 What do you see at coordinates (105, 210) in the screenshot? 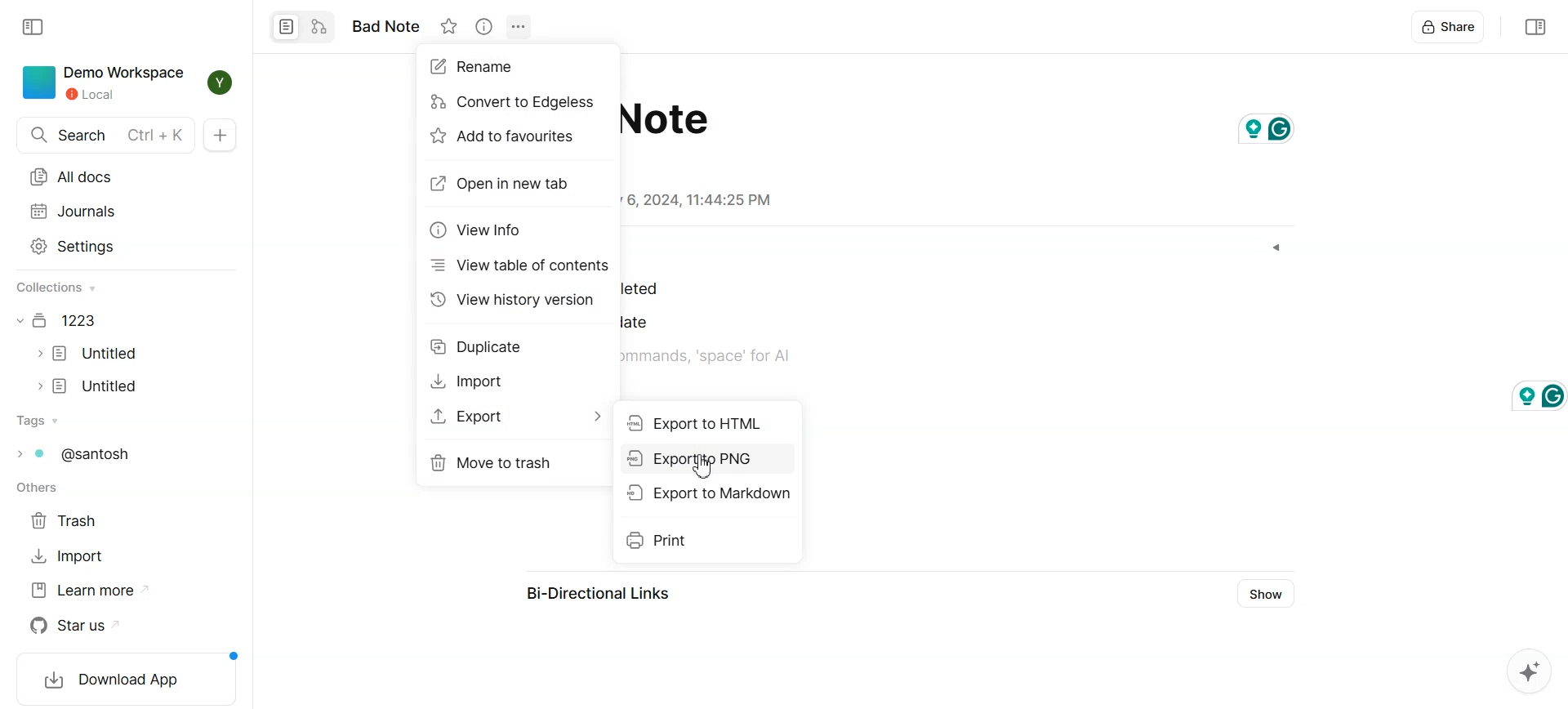
I see `Journals` at bounding box center [105, 210].